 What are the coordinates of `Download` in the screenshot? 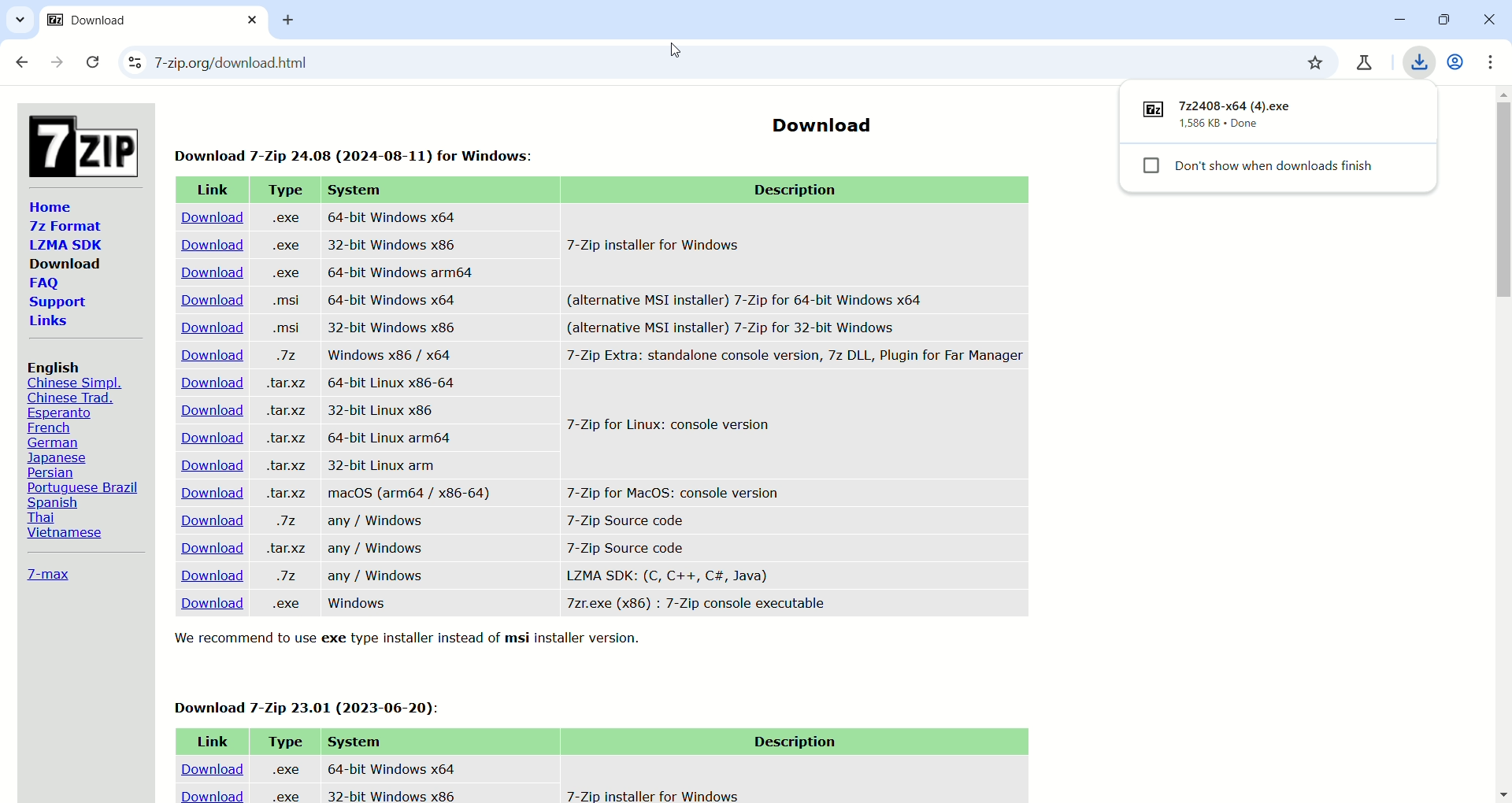 It's located at (205, 410).